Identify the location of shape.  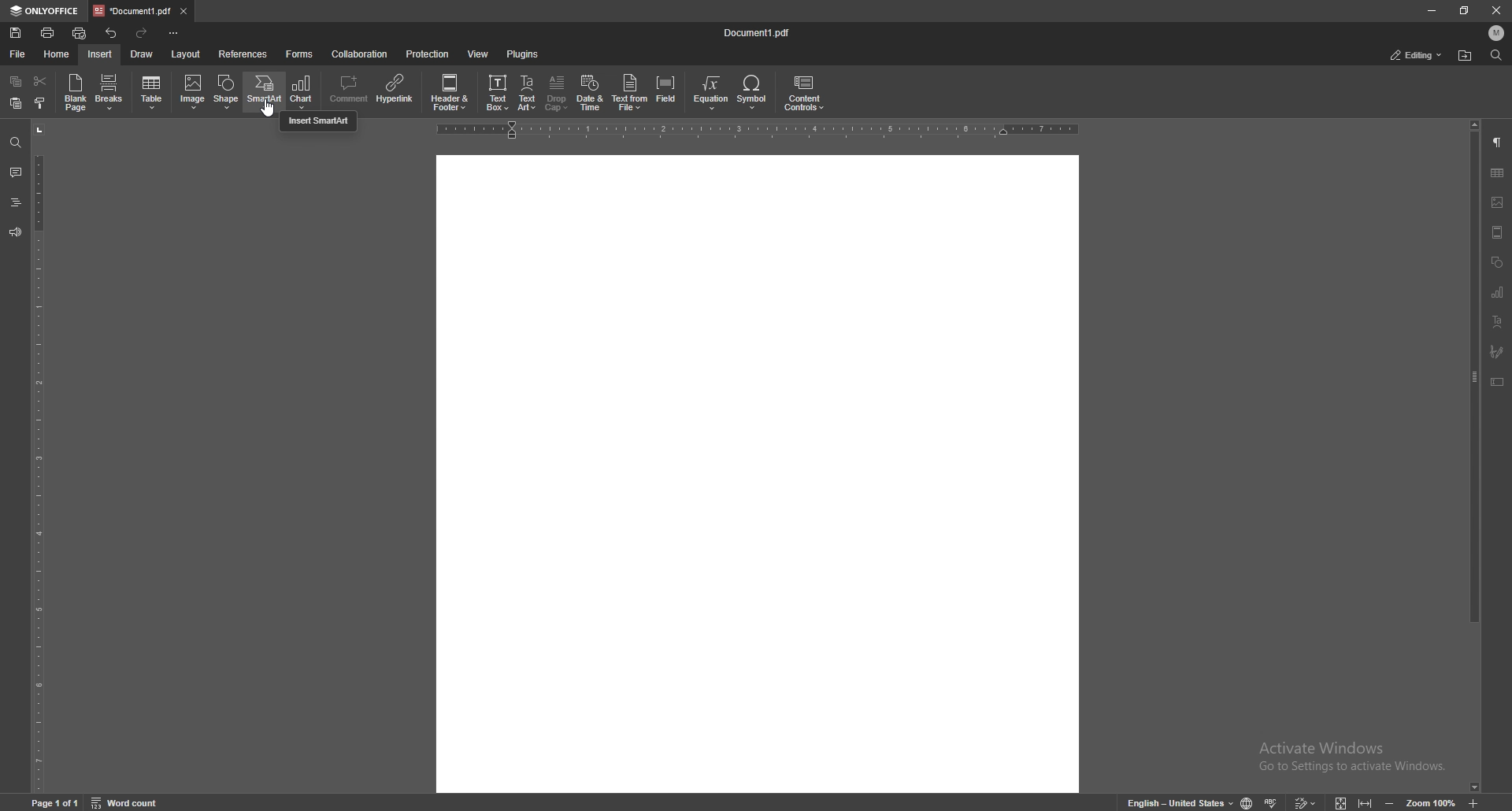
(228, 91).